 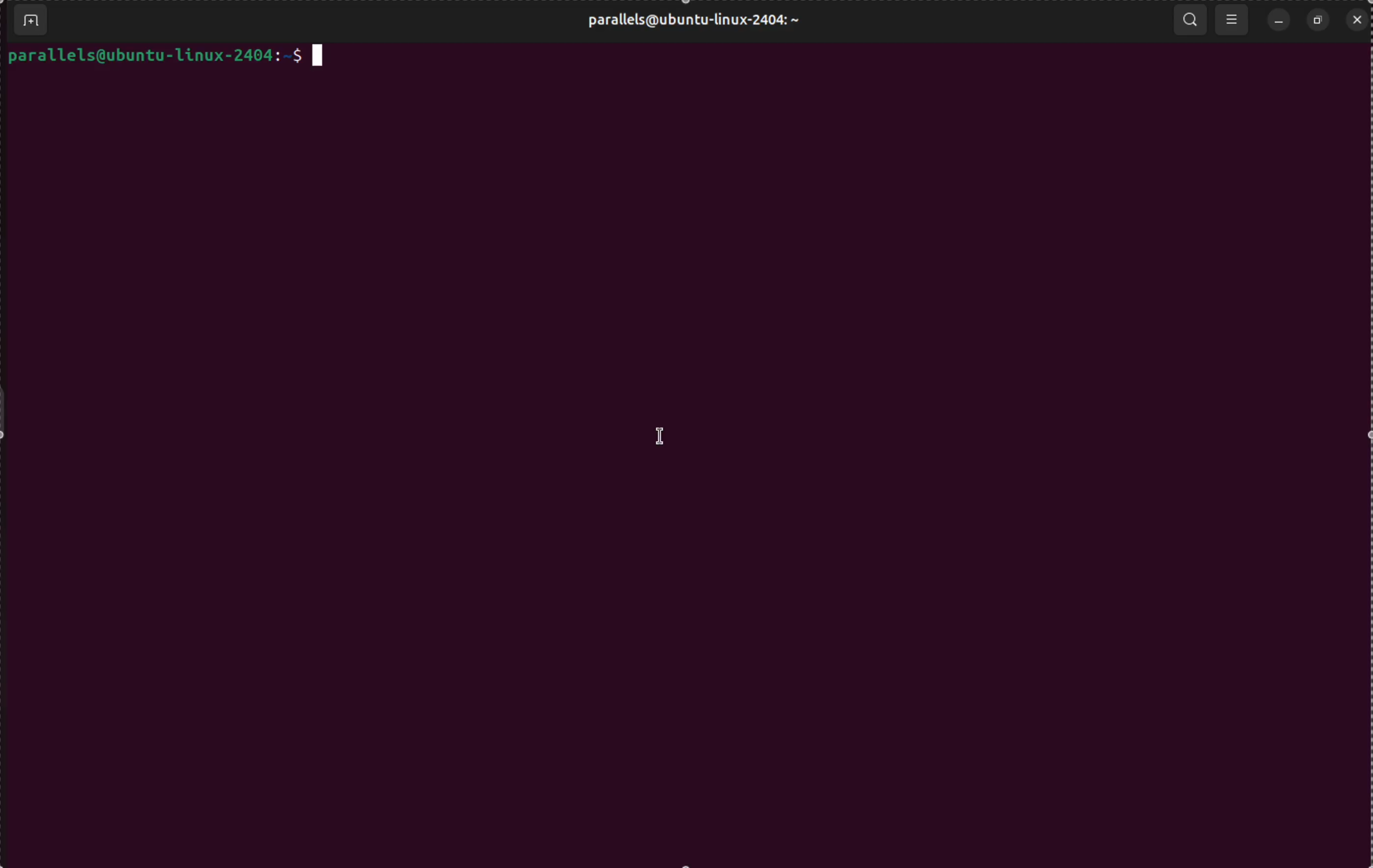 What do you see at coordinates (155, 56) in the screenshot?
I see `prompt bar` at bounding box center [155, 56].